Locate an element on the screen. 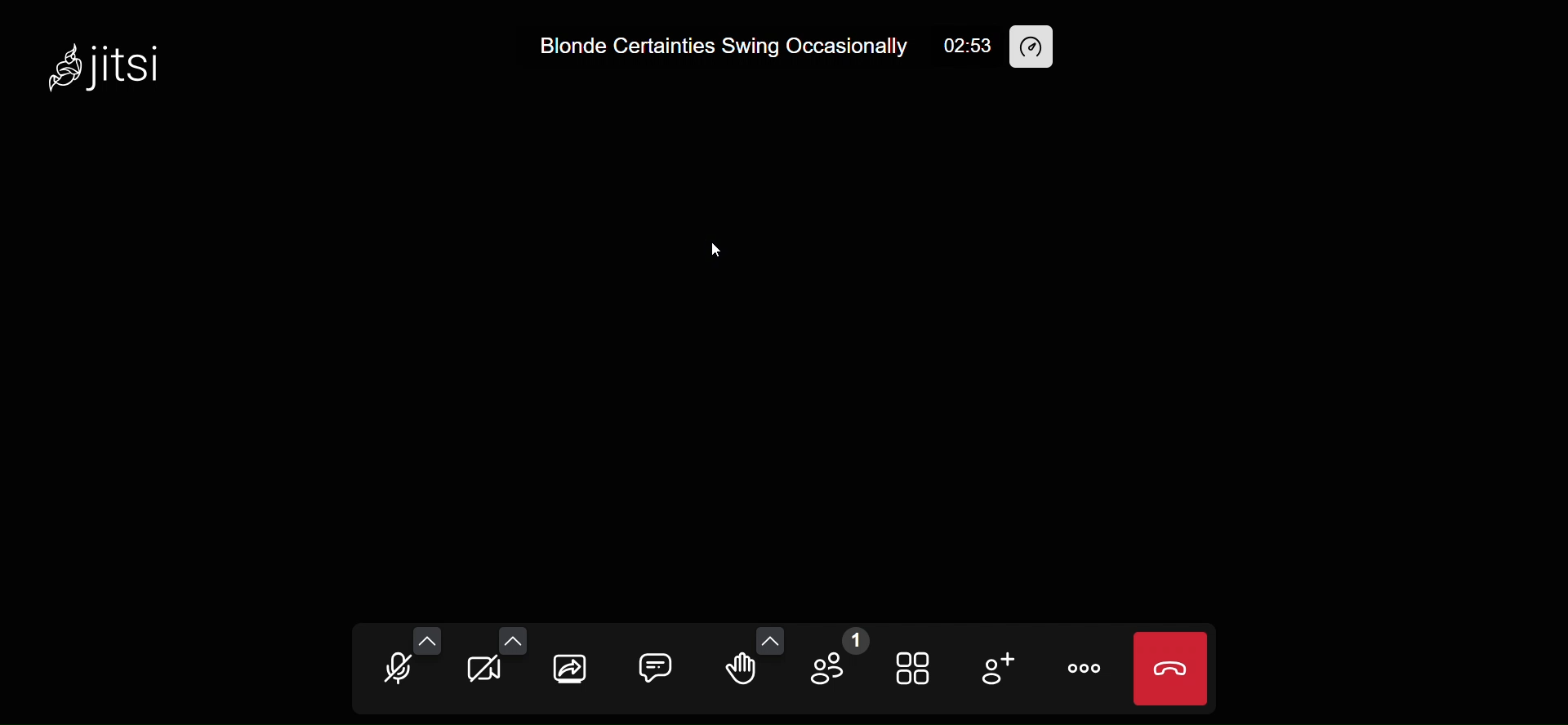  leave call is located at coordinates (1170, 669).